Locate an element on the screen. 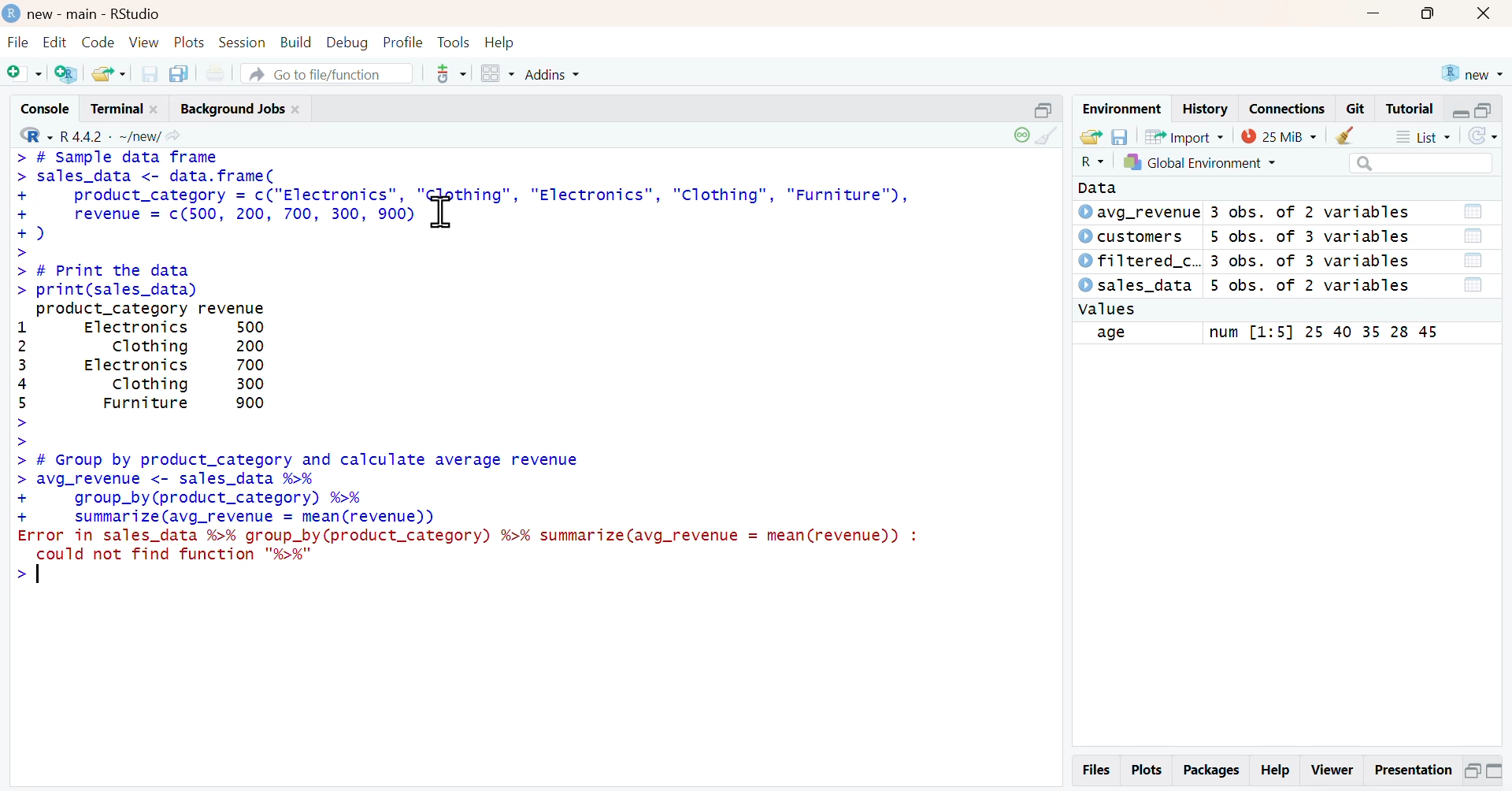 The height and width of the screenshot is (791, 1512). Console - # Sample data frame sales_data<- data.frame( product_category= c("Electronics", "thing", "Electronics", "Clothing", "Furniture"), revenue c(500, 200, 700, 300, 900) ) # Print the data print(sales_data) product_category revenue Electronics 500 Clothing 200 Electronics 700 Clothing 300 Furniture 900 # Group by product_category and calculate average revenue avg_revenue< sales_data %>% group_by(product_category) %>% summarize (avg_revenue = mean (revenue)) error in sales_data %>% group_by (product_category) %>% summarize (avg_revenue = mean (revenue)) : could not find function "%>%" is located at coordinates (535, 395).